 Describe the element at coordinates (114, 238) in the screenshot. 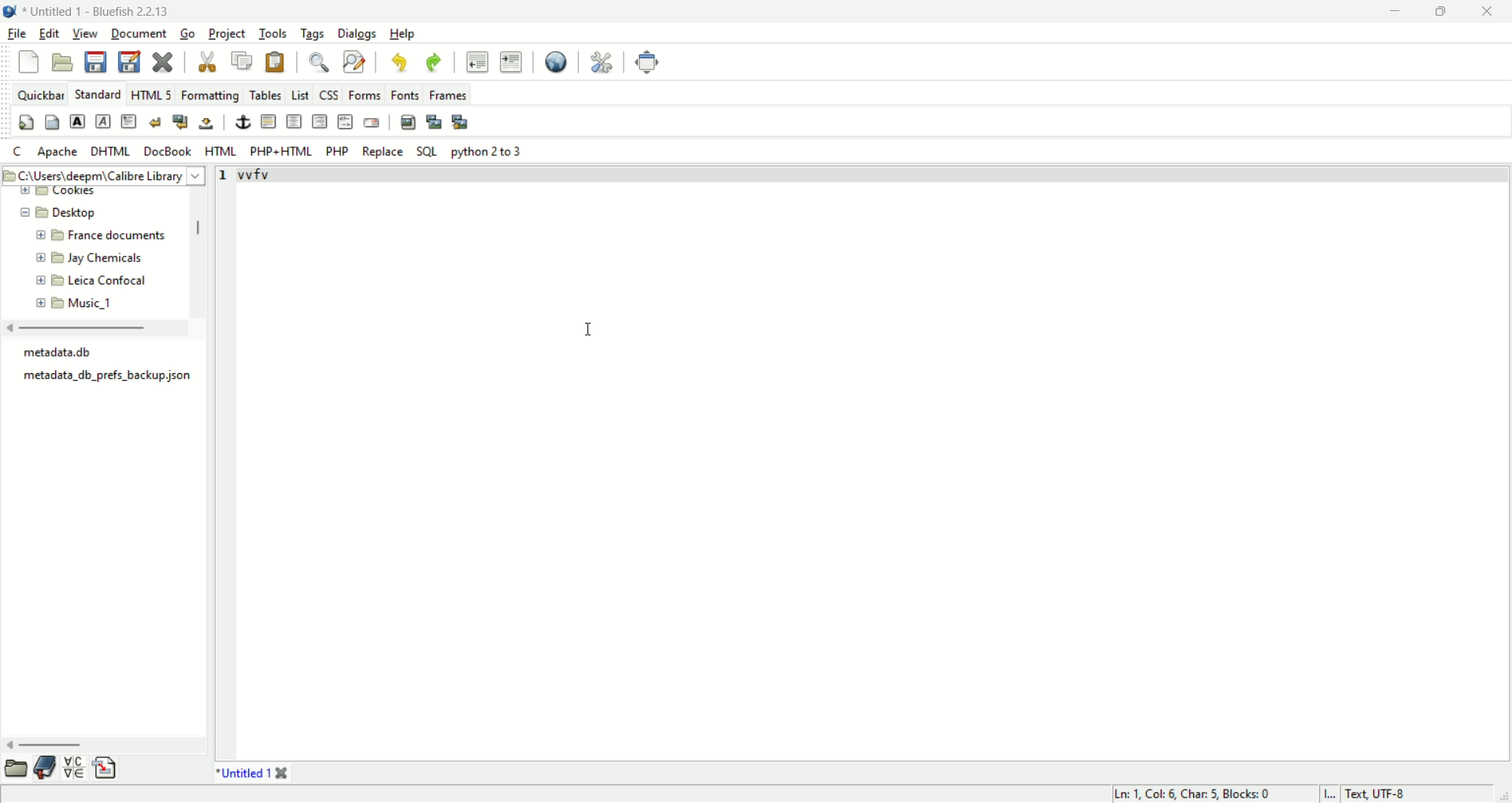

I see ` France documents` at that location.